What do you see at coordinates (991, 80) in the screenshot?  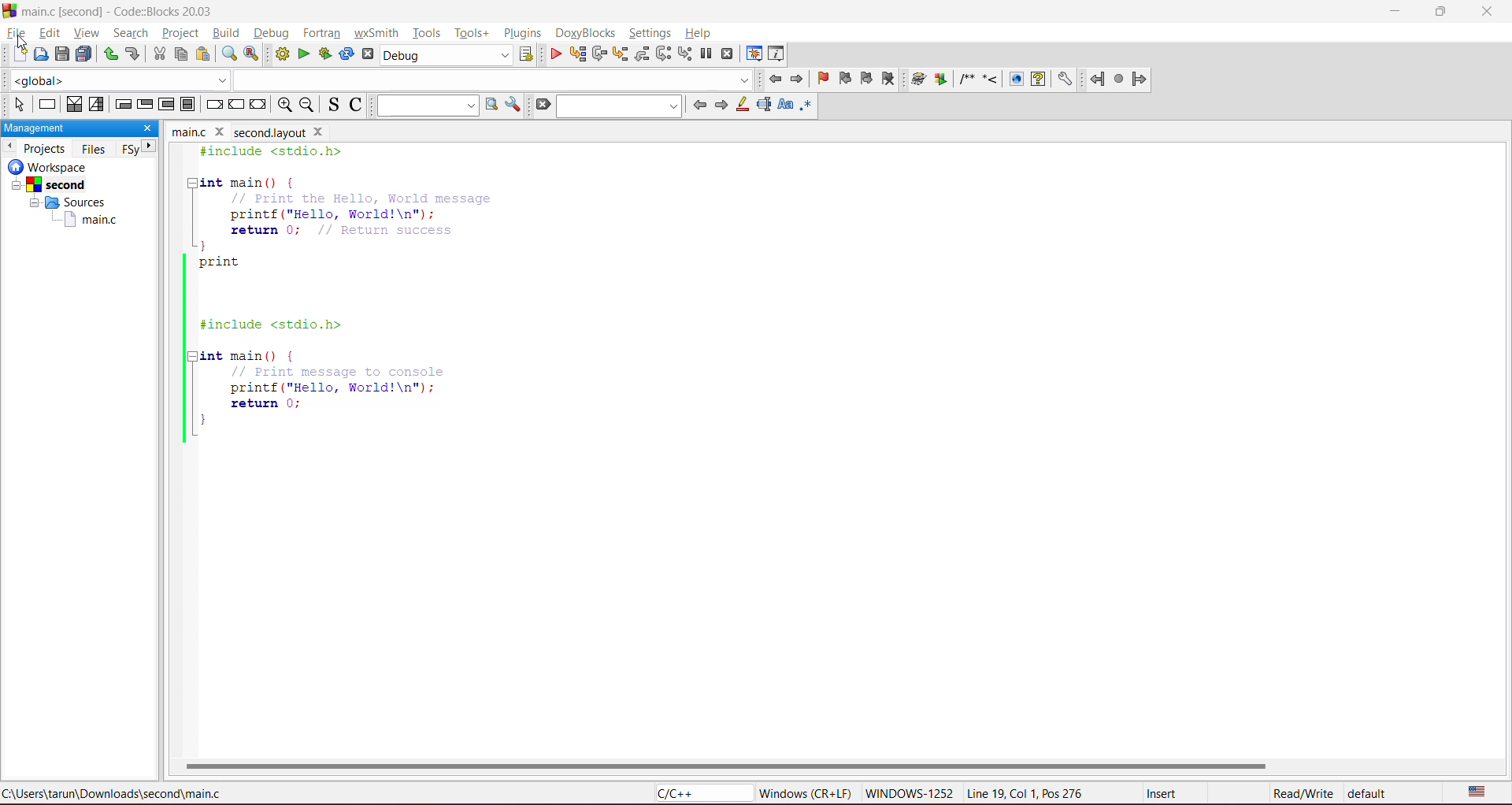 I see `doxyblocks reference` at bounding box center [991, 80].